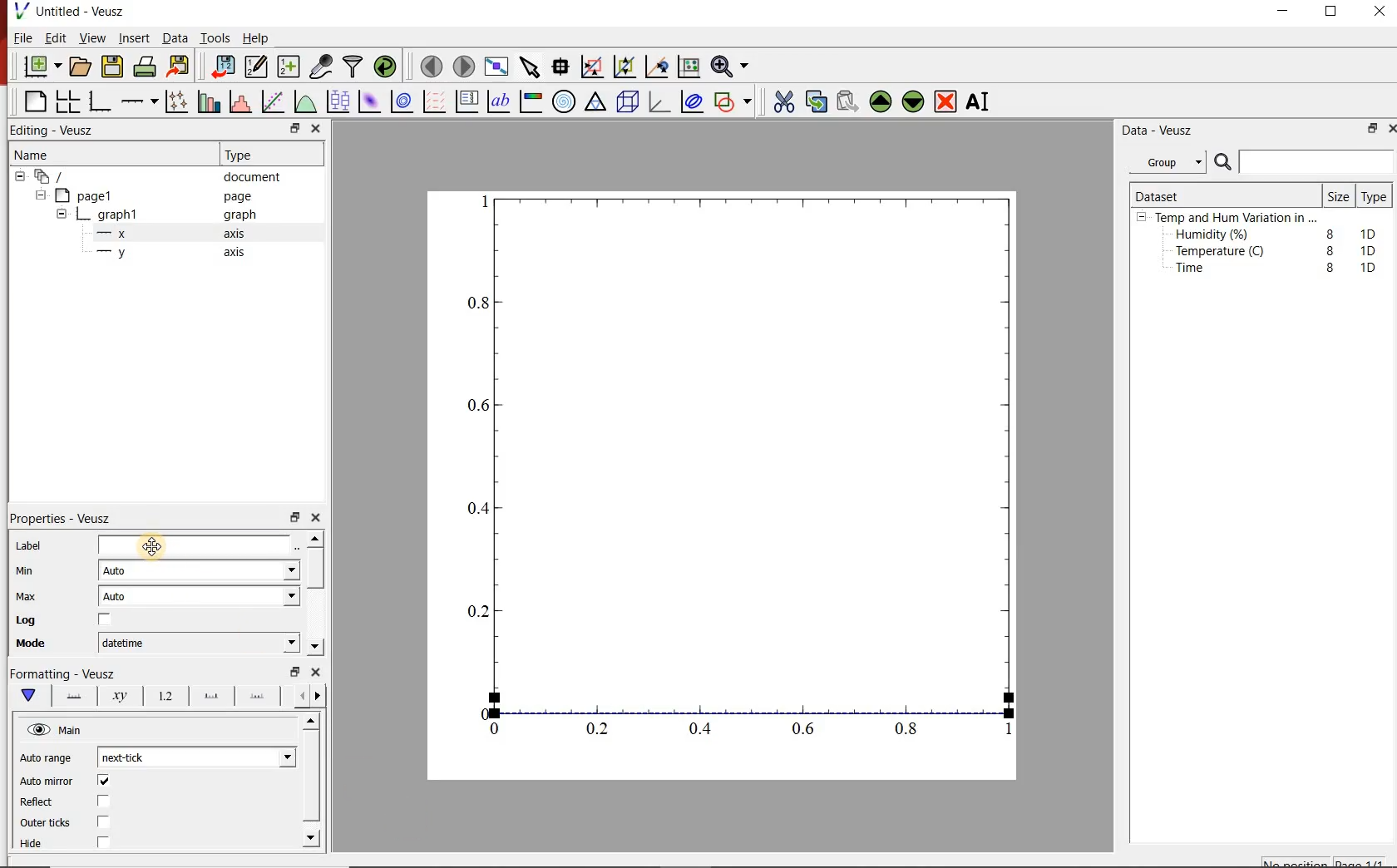 The height and width of the screenshot is (868, 1397). What do you see at coordinates (300, 545) in the screenshot?
I see `Edit text` at bounding box center [300, 545].